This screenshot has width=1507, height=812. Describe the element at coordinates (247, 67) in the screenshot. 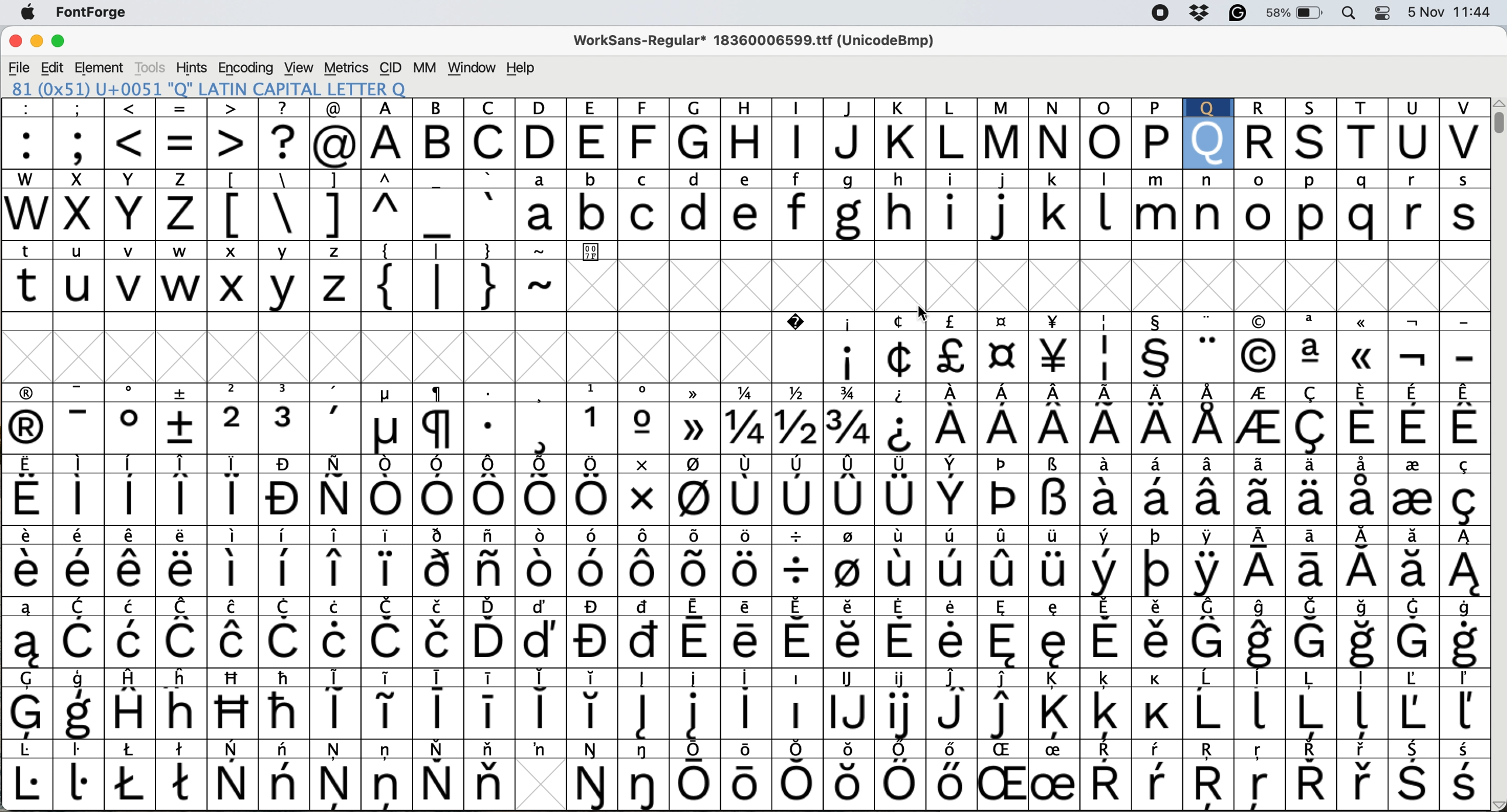

I see `encoding` at that location.